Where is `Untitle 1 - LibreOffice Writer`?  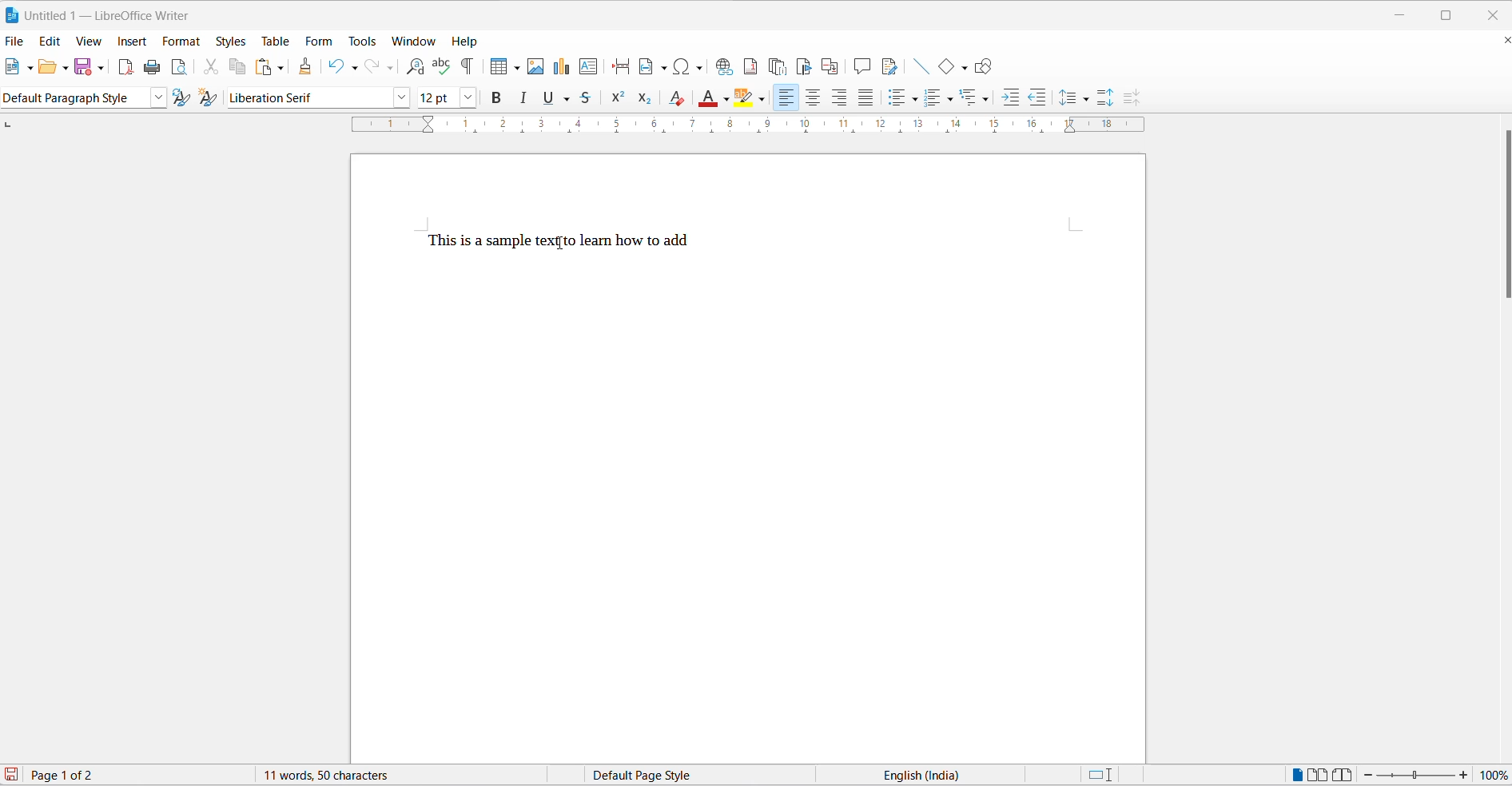 Untitle 1 - LibreOffice Writer is located at coordinates (114, 15).